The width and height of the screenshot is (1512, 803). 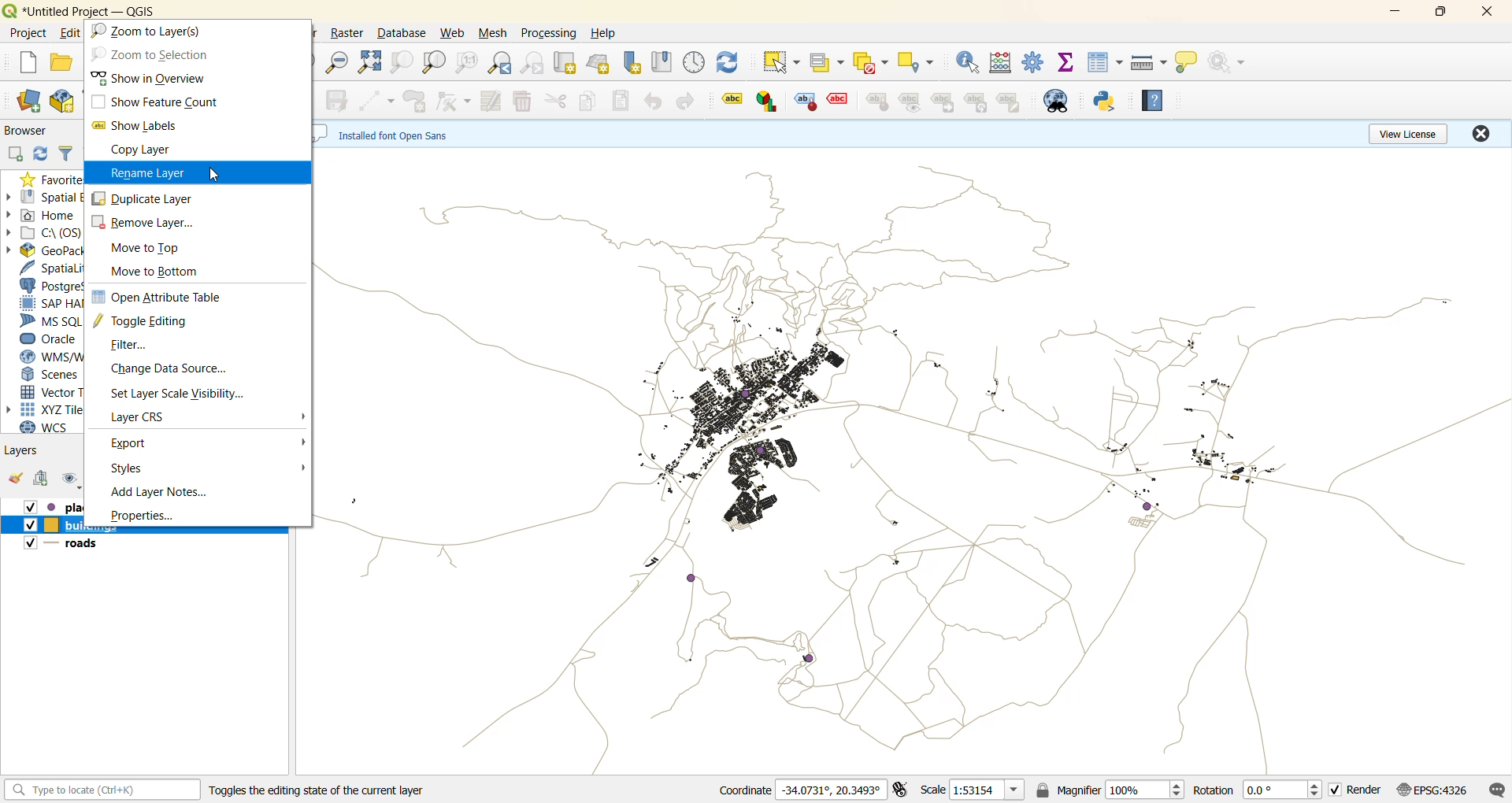 I want to click on style, so click(x=876, y=101).